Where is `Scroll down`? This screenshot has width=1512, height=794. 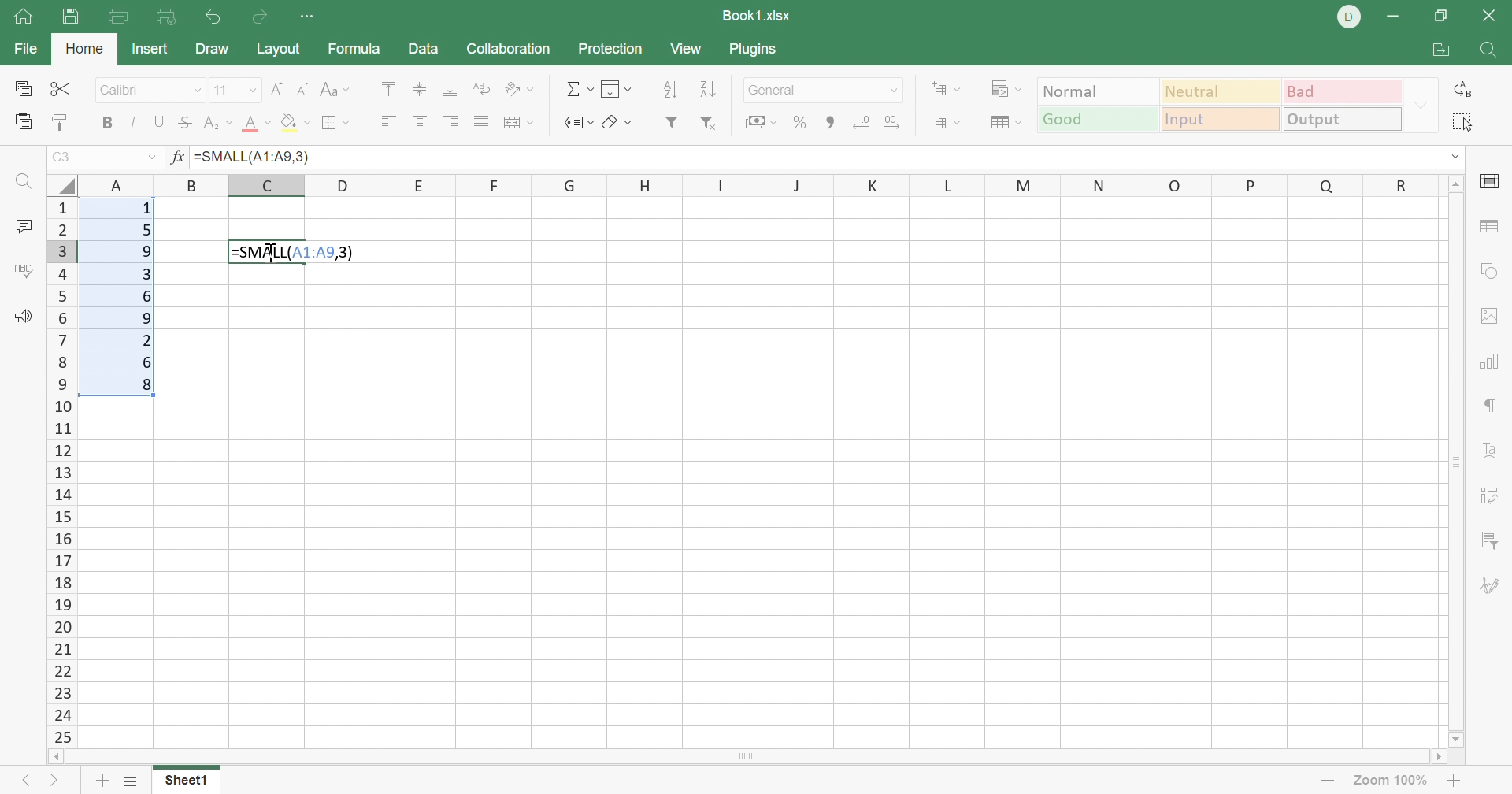 Scroll down is located at coordinates (1456, 739).